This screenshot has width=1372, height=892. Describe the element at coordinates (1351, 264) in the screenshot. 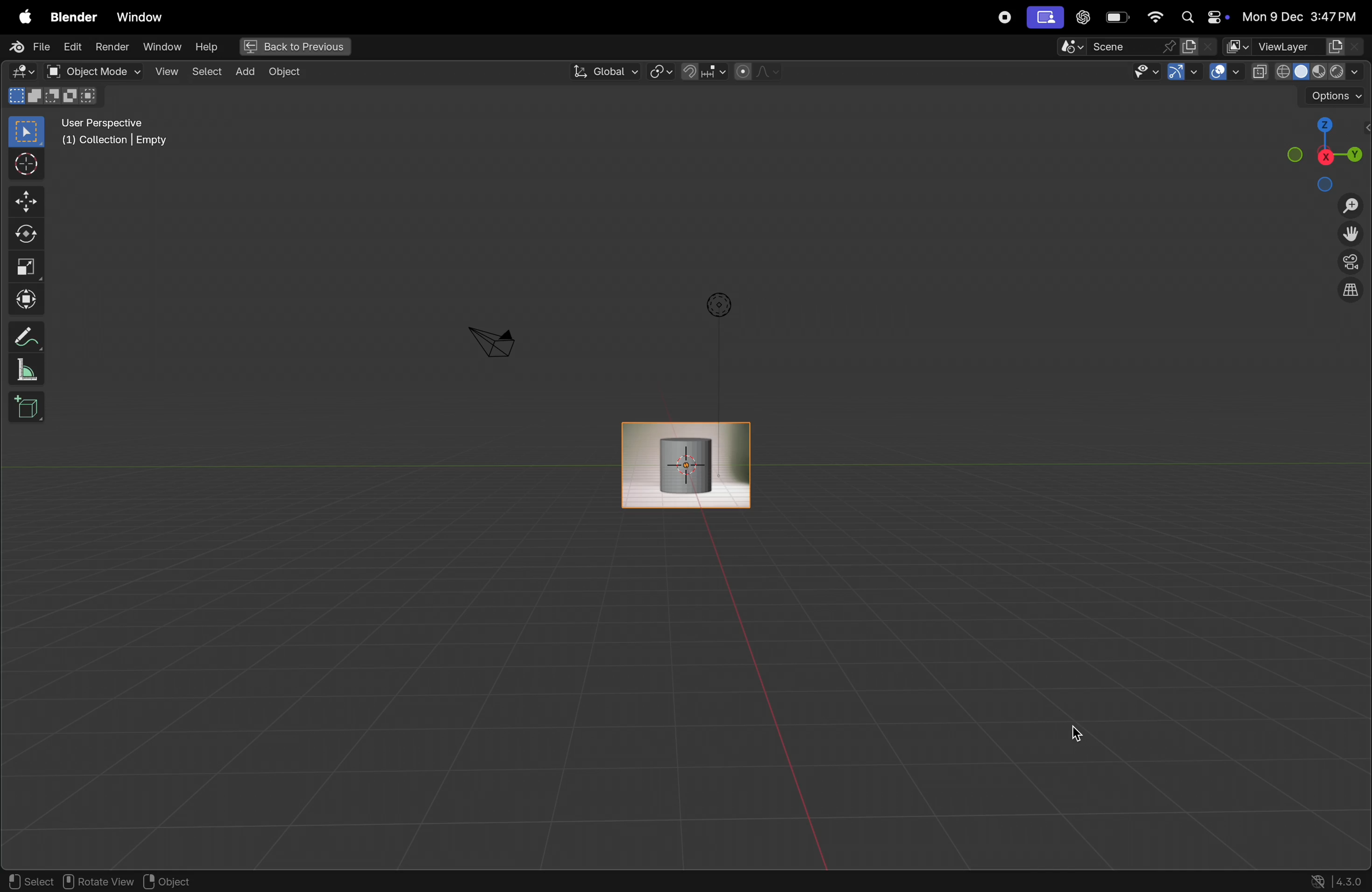

I see `perspective` at that location.